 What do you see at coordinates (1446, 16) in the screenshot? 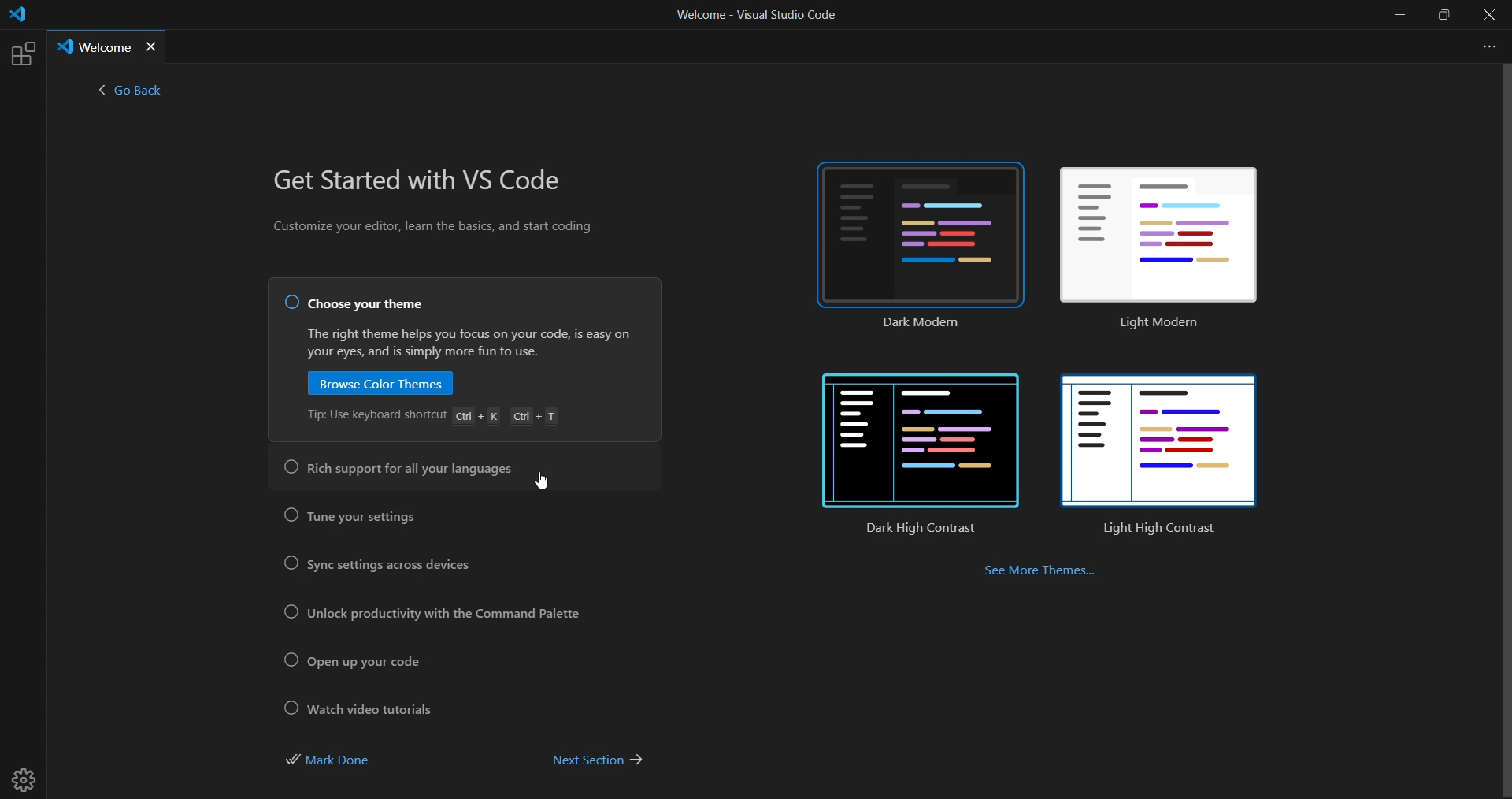
I see `maximize` at bounding box center [1446, 16].